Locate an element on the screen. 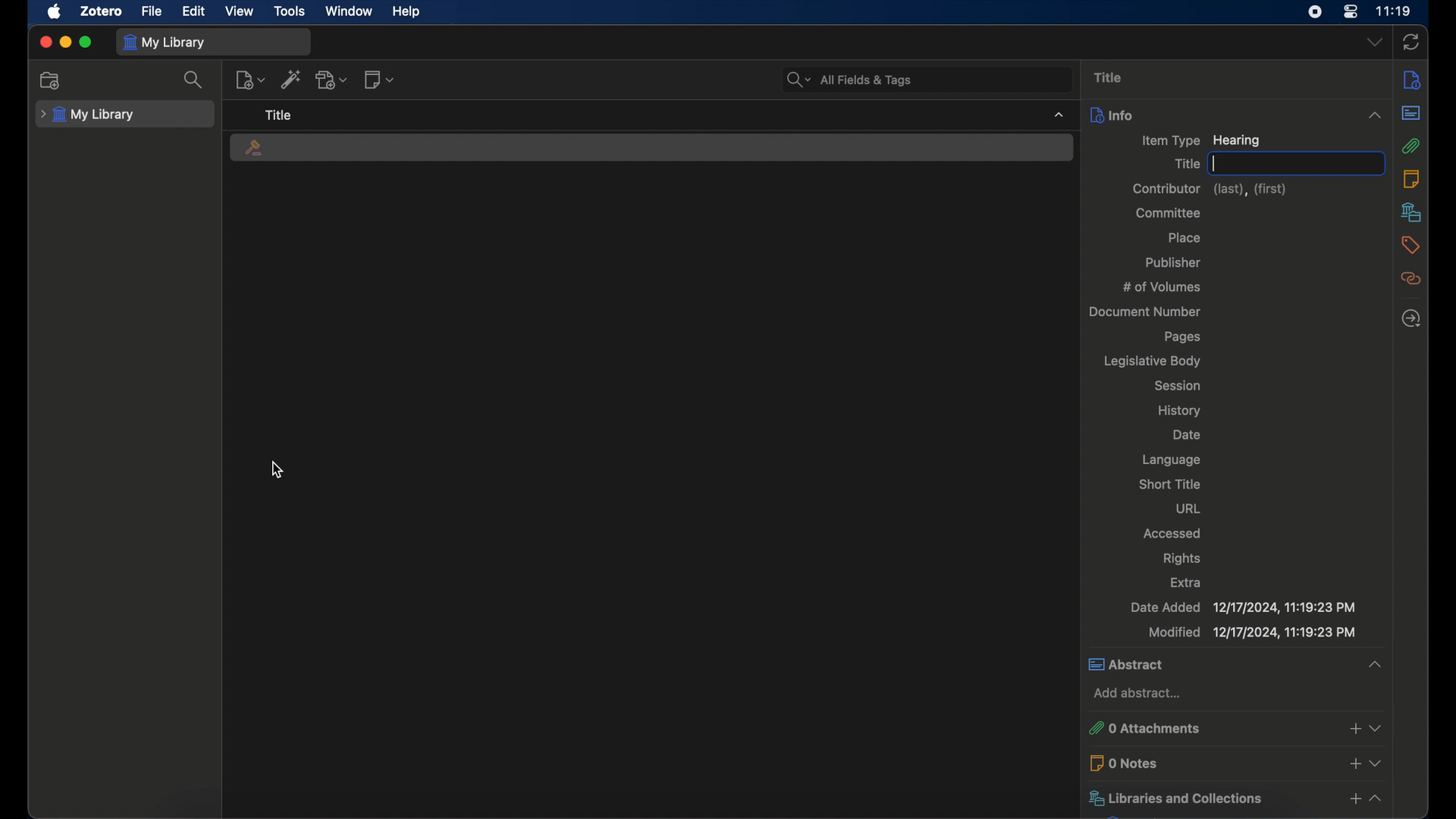  date added is located at coordinates (1242, 608).